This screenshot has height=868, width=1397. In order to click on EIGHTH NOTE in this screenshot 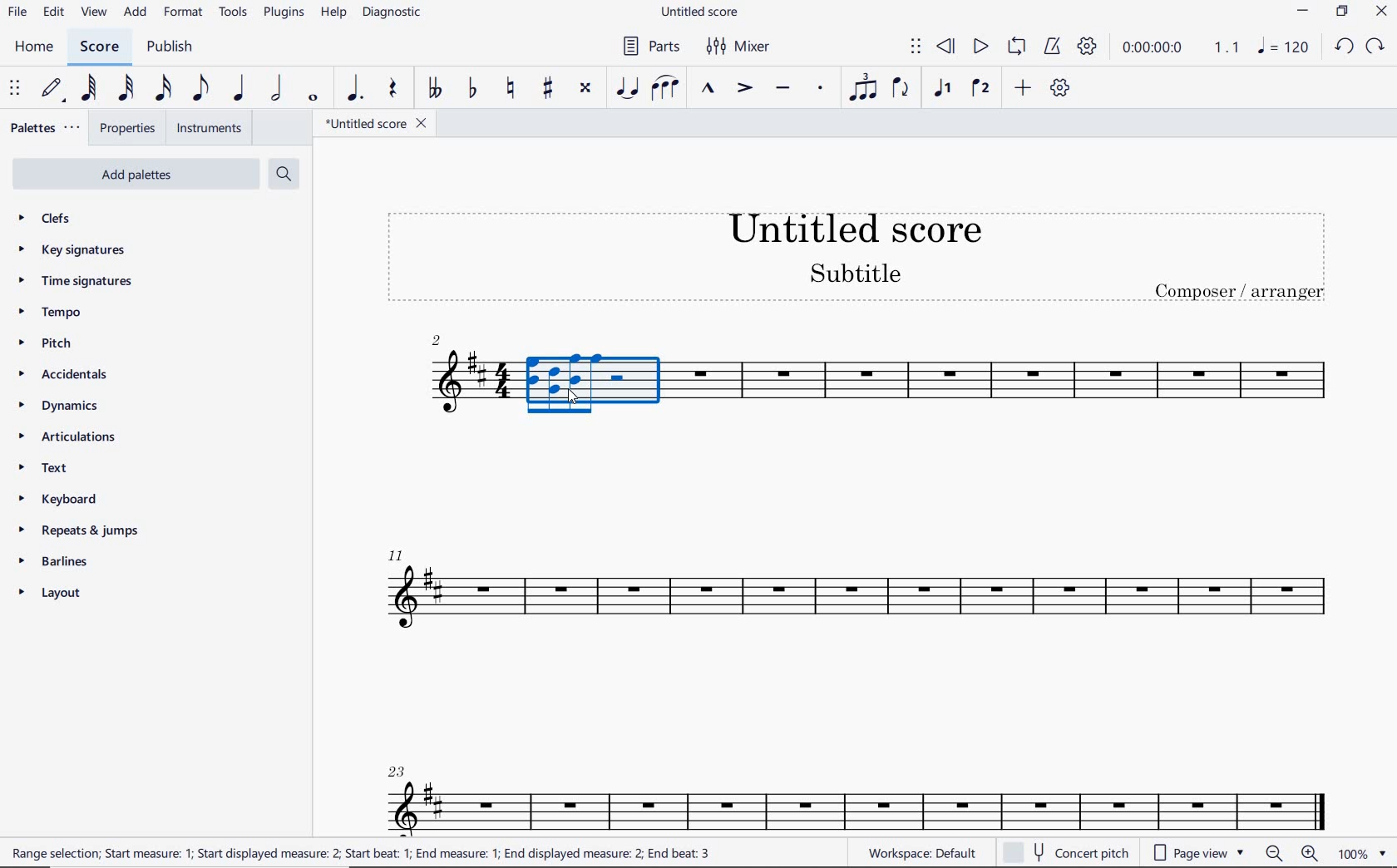, I will do `click(199, 89)`.